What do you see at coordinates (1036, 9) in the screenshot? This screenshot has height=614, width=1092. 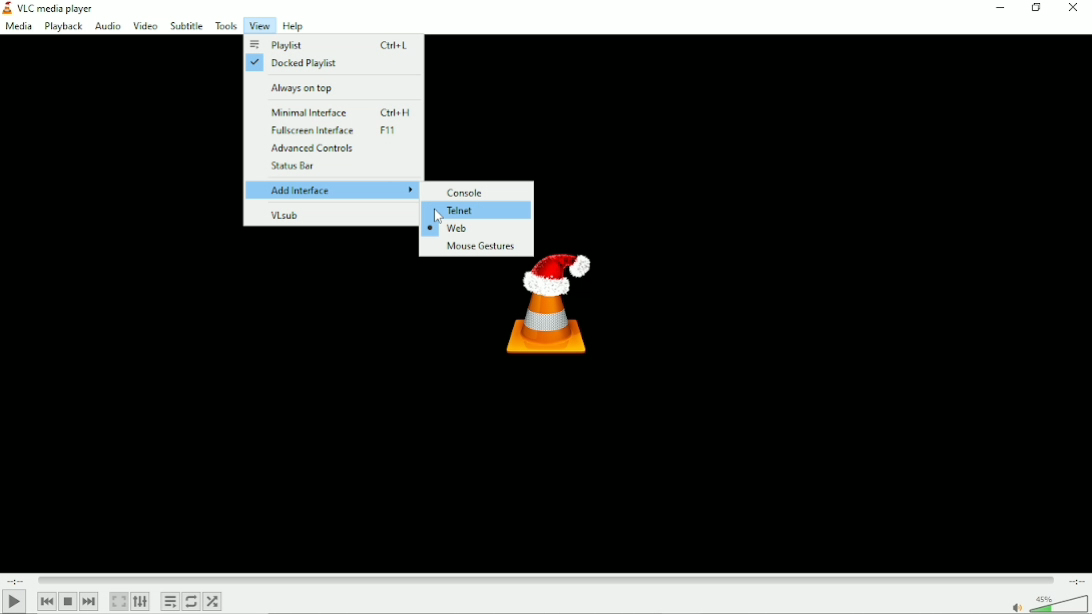 I see `restore down` at bounding box center [1036, 9].